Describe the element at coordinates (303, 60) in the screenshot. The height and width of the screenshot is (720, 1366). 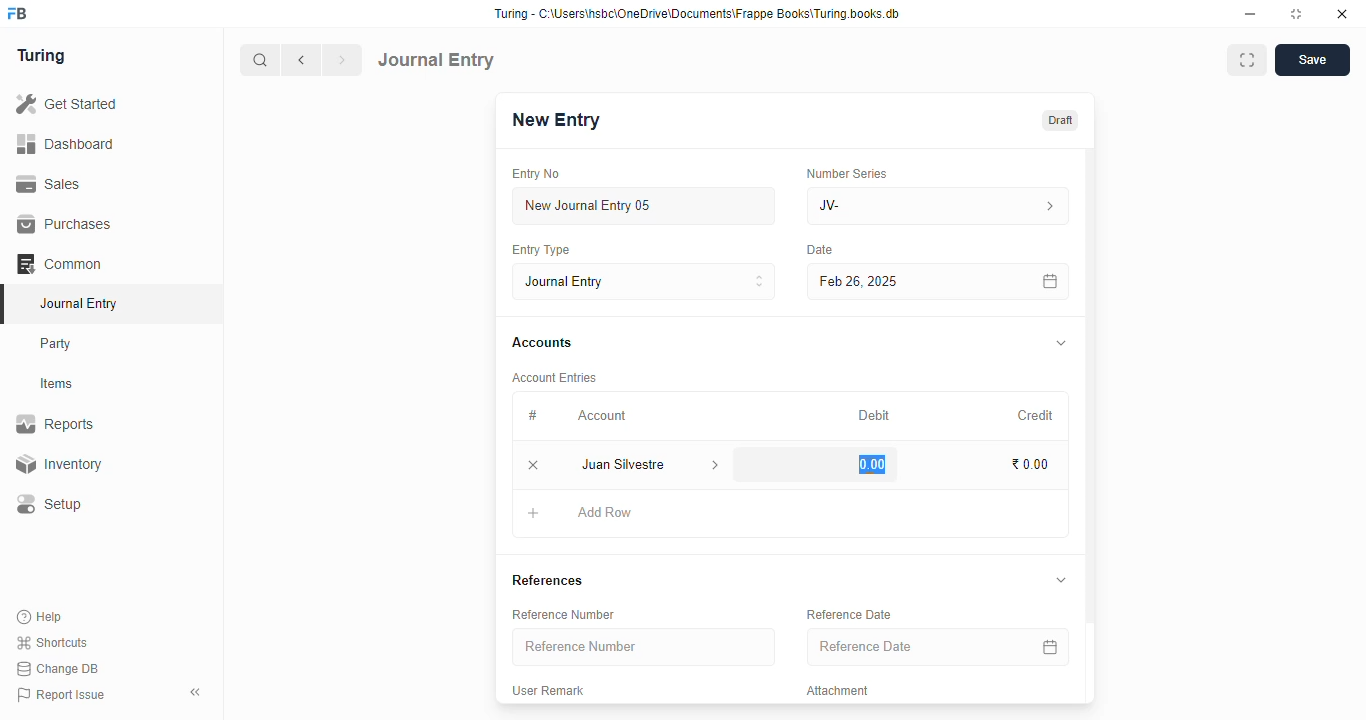
I see `previous` at that location.